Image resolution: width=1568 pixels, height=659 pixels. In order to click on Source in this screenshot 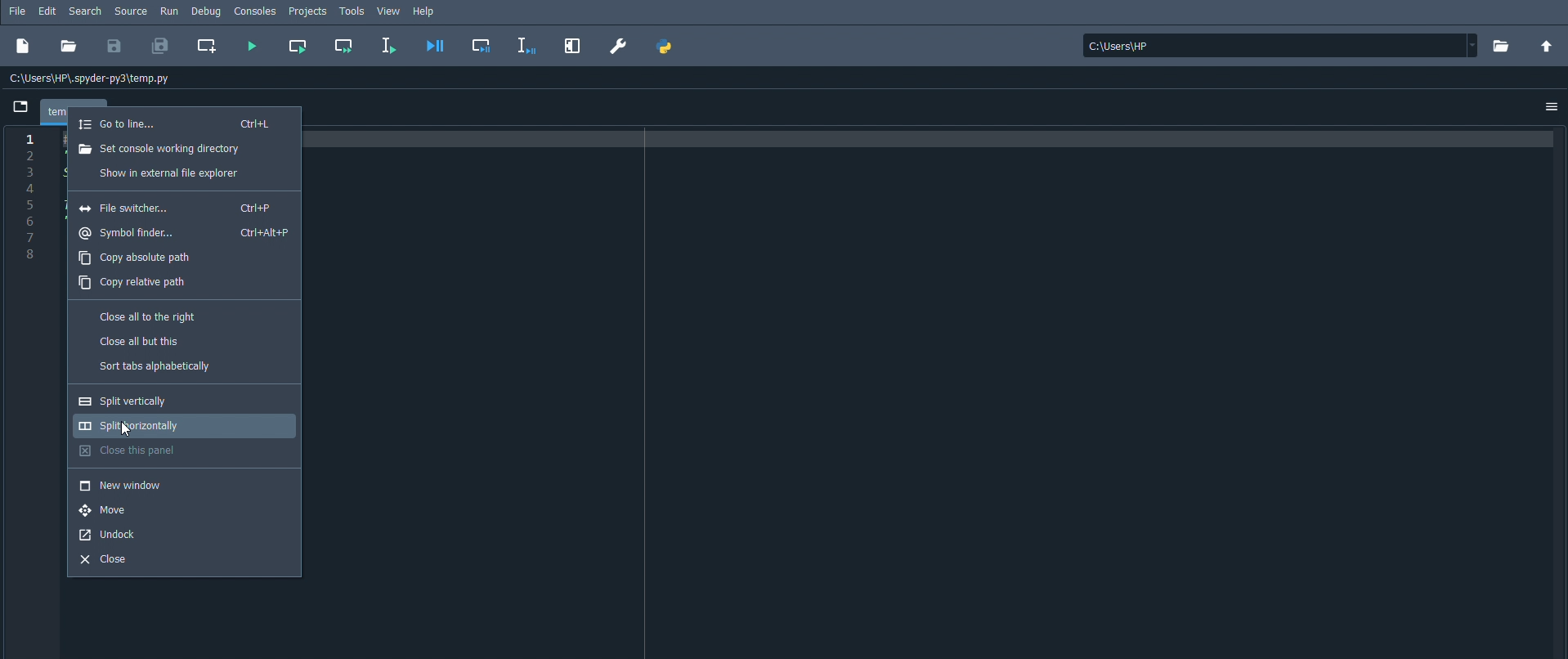, I will do `click(131, 11)`.